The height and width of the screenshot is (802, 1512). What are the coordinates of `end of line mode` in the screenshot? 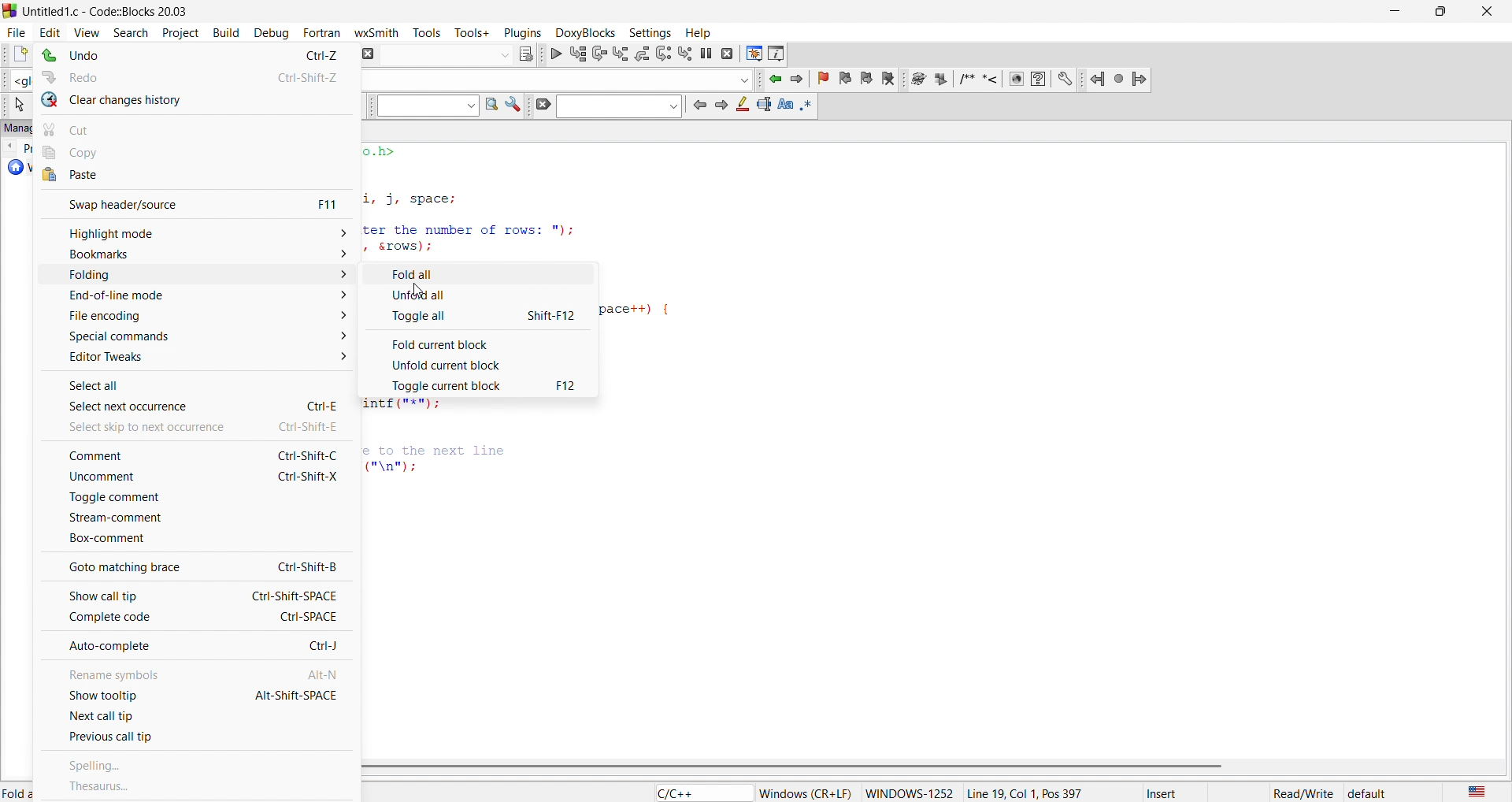 It's located at (189, 297).